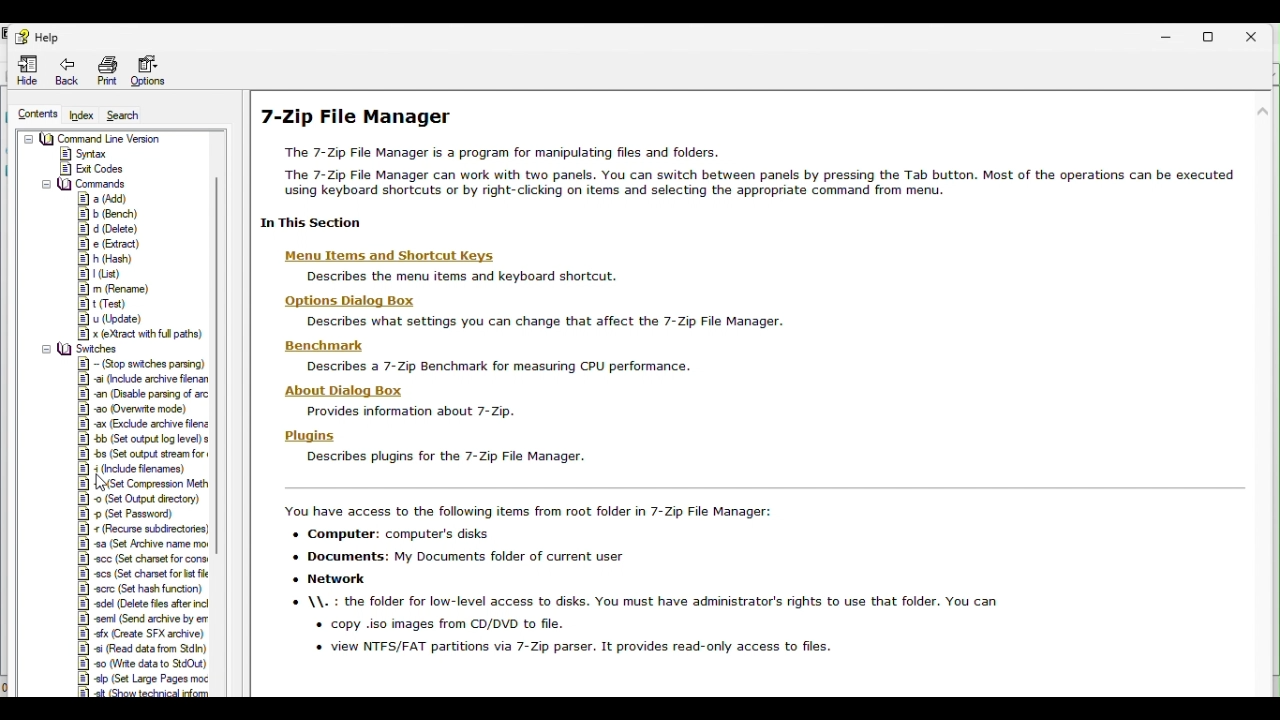 The width and height of the screenshot is (1280, 720). Describe the element at coordinates (37, 33) in the screenshot. I see `Help ` at that location.